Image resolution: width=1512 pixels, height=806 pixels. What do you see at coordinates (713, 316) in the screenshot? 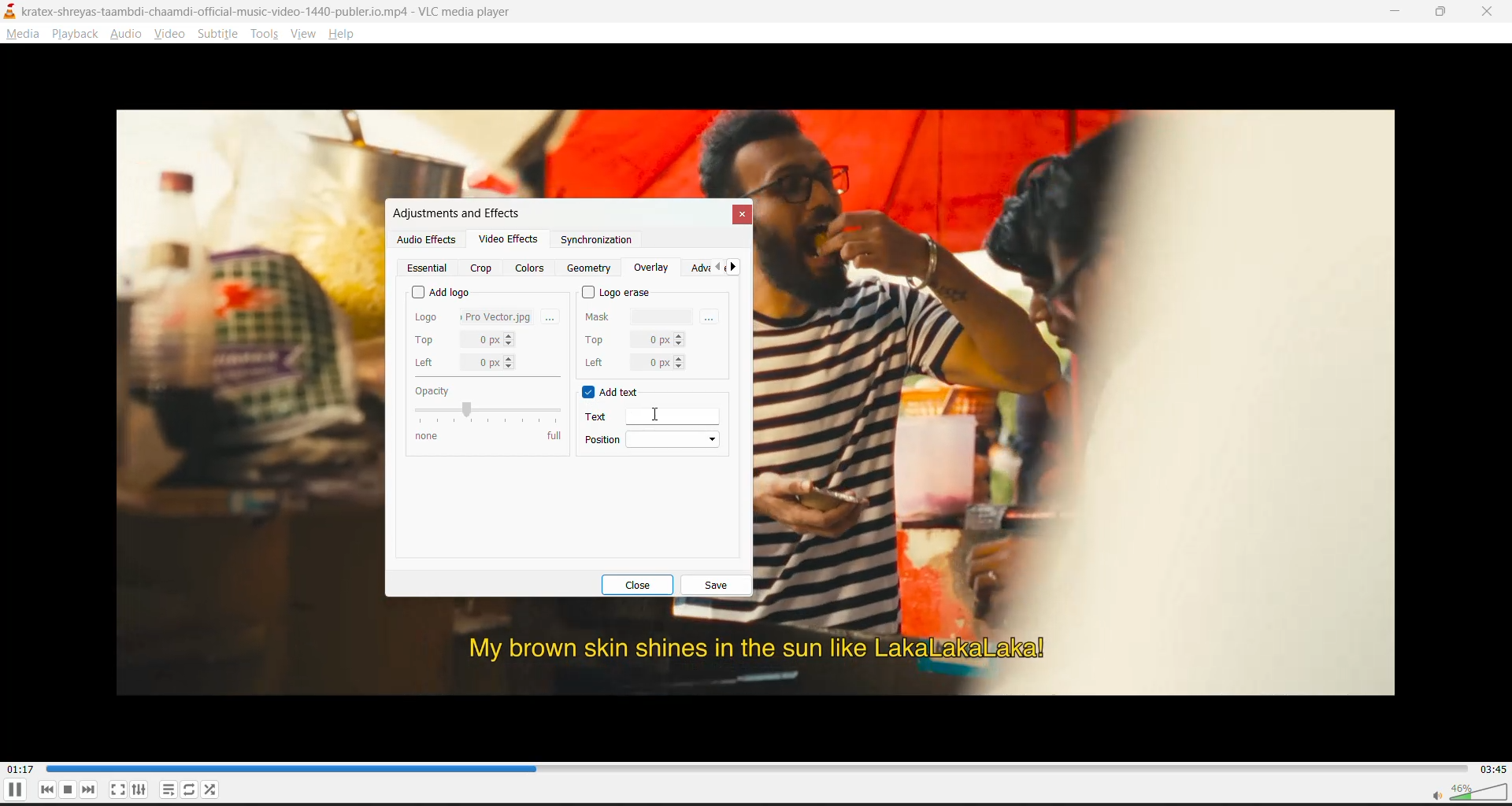
I see `More options` at bounding box center [713, 316].